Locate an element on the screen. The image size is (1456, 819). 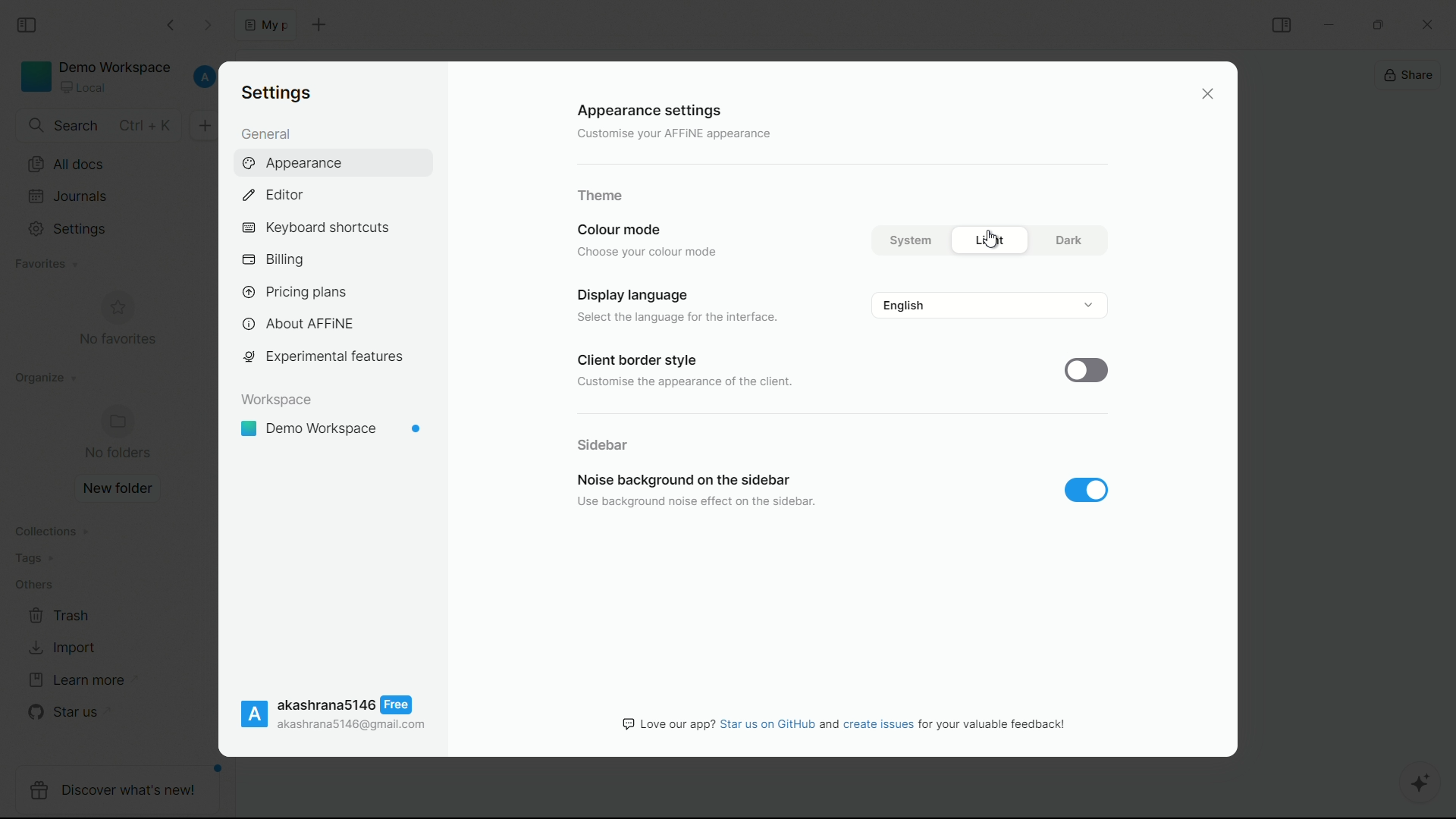
forward is located at coordinates (209, 24).